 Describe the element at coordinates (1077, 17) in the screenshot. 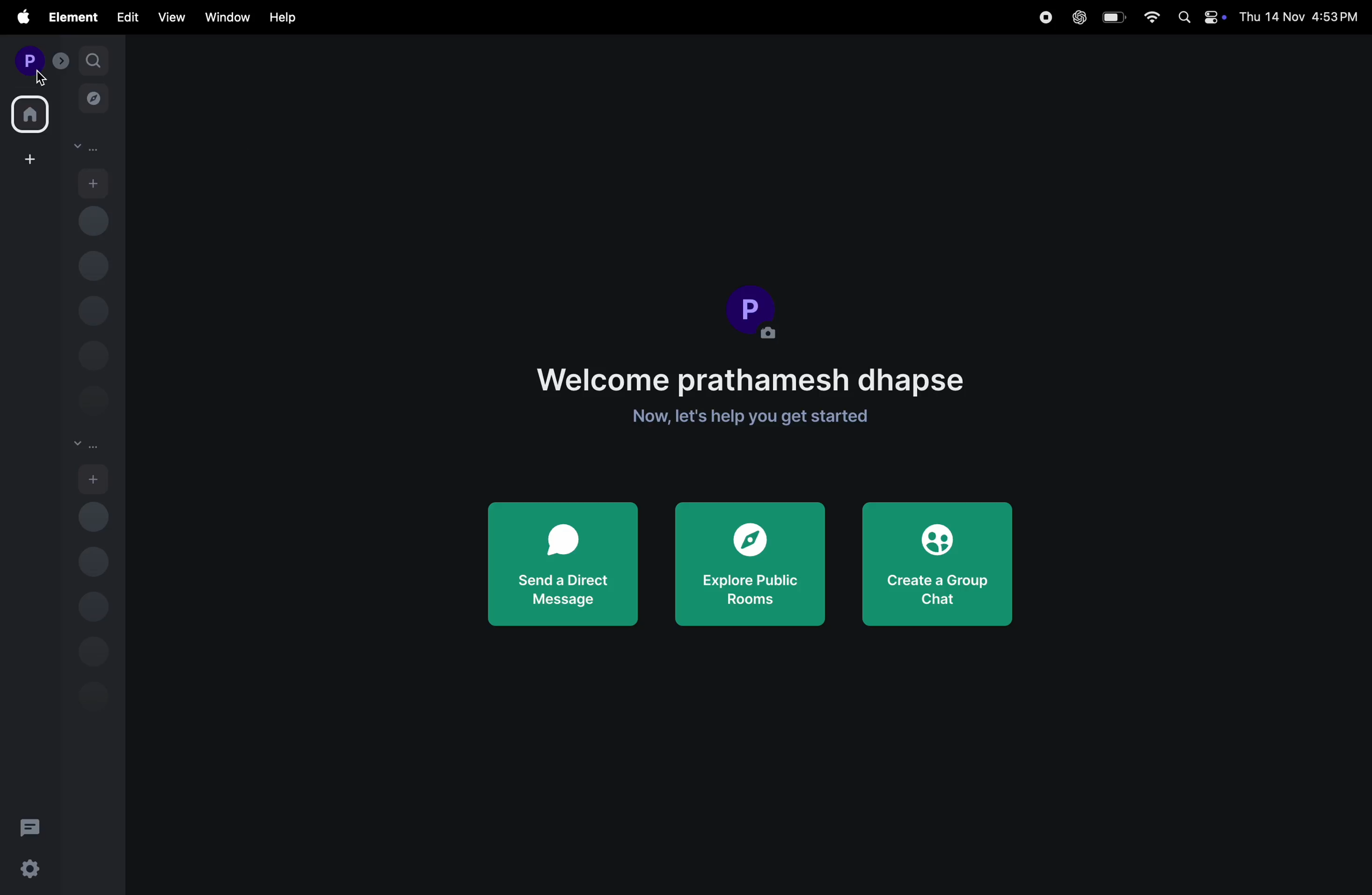

I see `chat gpt` at that location.